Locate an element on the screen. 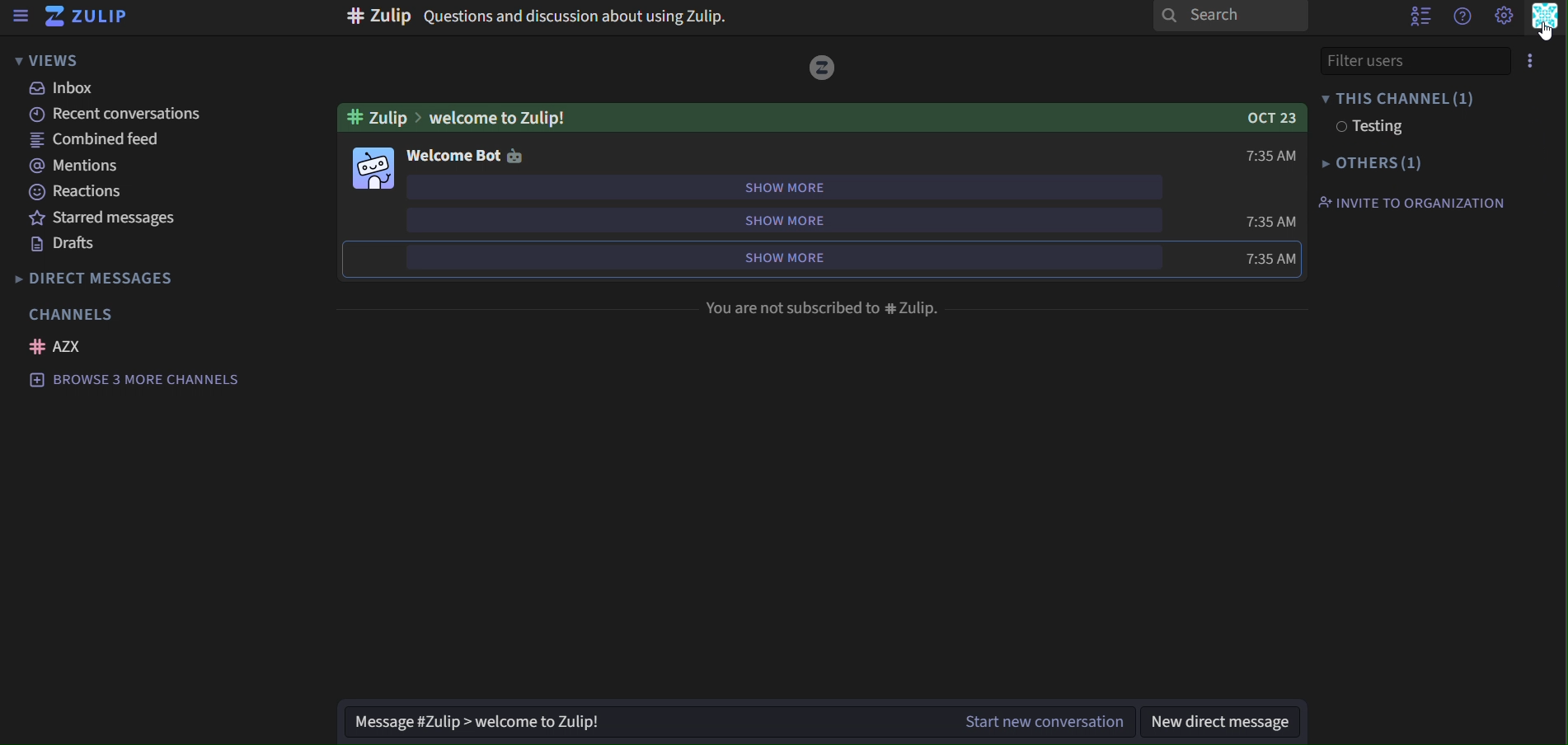  show more is located at coordinates (791, 188).